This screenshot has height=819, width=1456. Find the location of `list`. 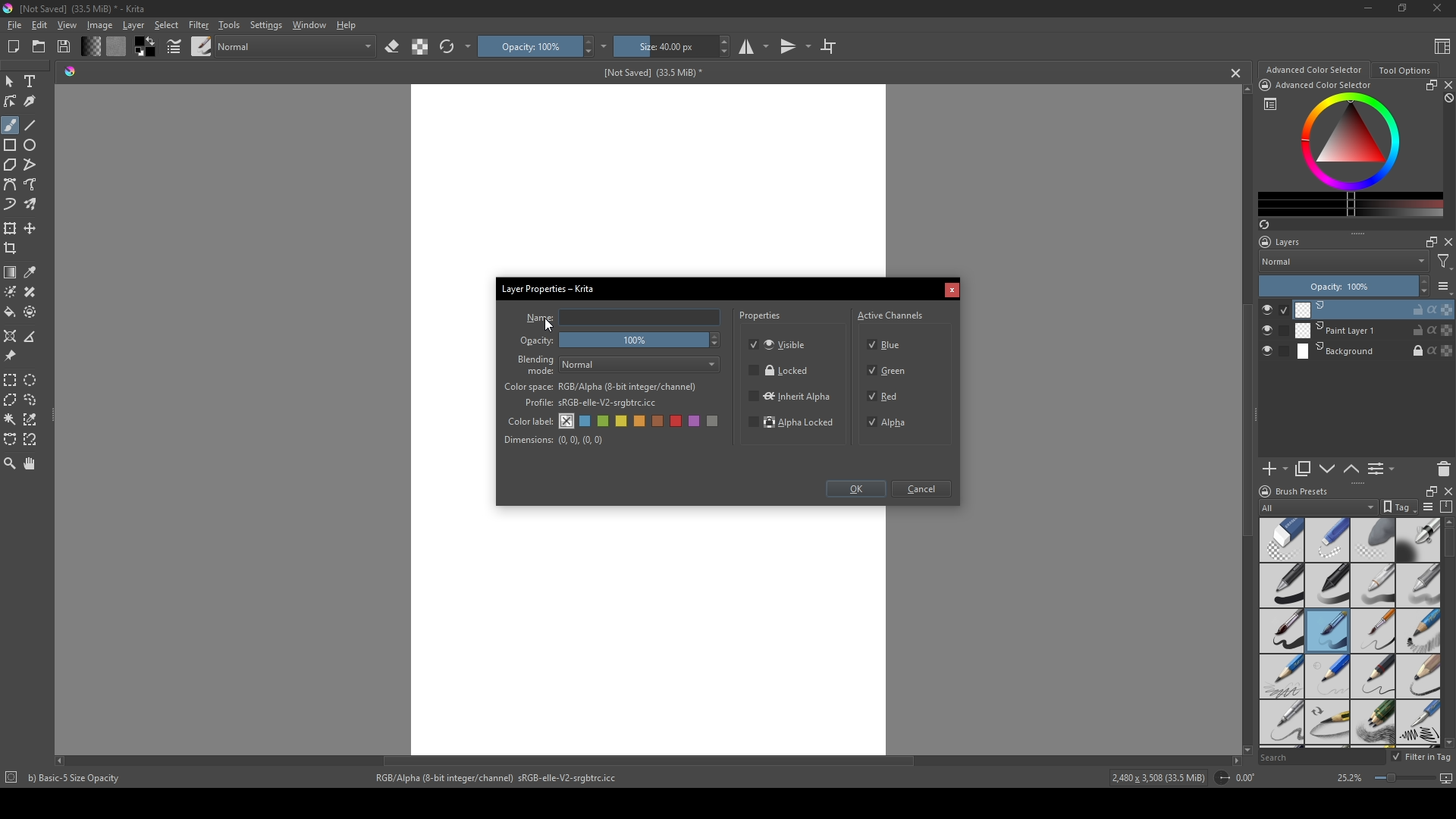

list is located at coordinates (1444, 286).